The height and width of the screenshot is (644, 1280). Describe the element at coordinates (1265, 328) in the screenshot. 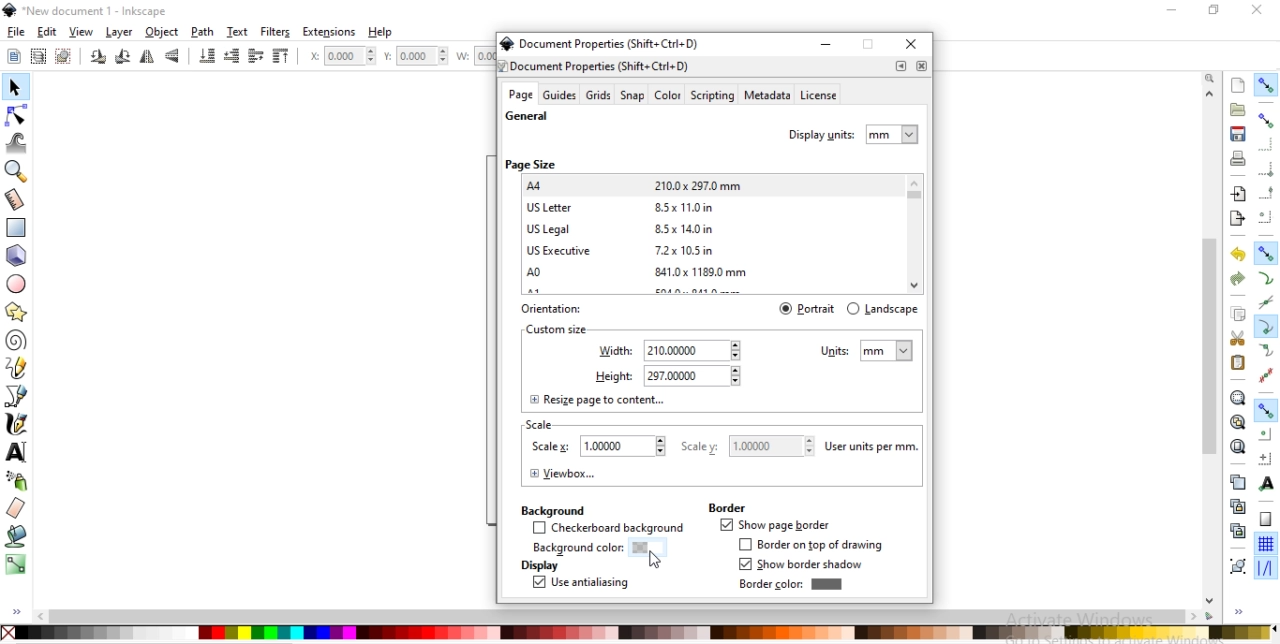

I see `snap cusp nodes` at that location.